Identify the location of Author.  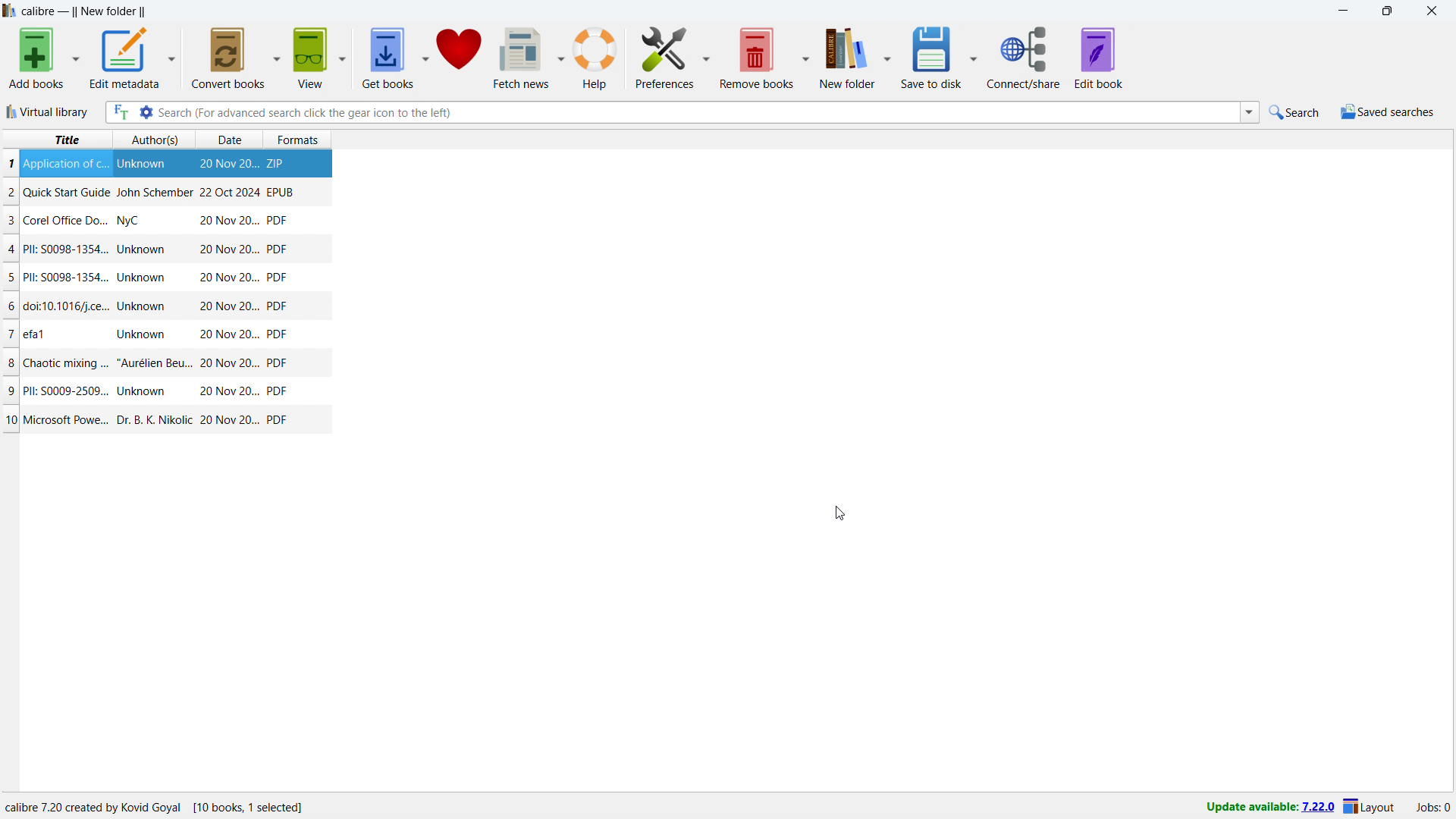
(155, 362).